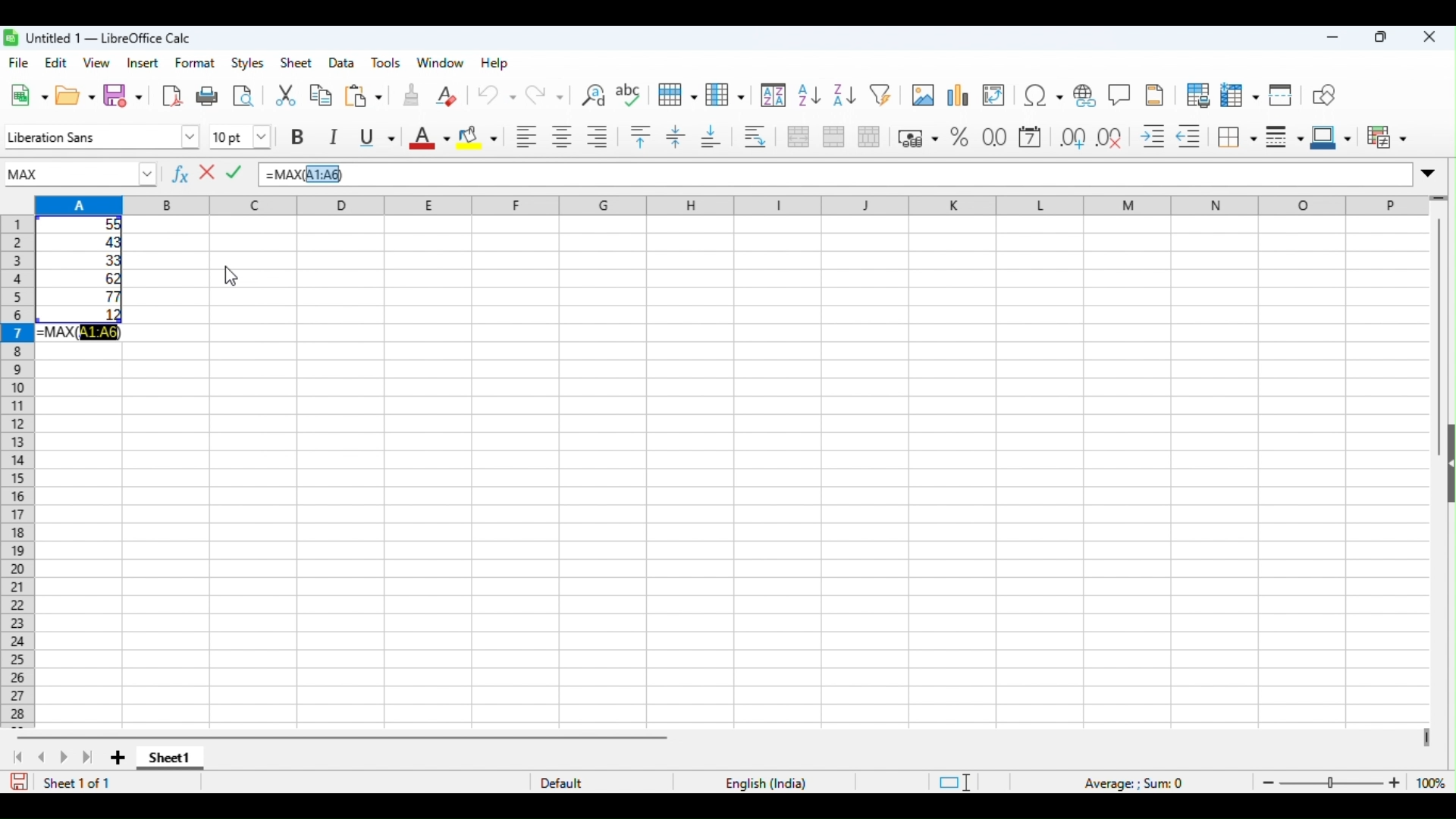 This screenshot has width=1456, height=819. Describe the element at coordinates (1424, 738) in the screenshot. I see `drag to view next columns` at that location.